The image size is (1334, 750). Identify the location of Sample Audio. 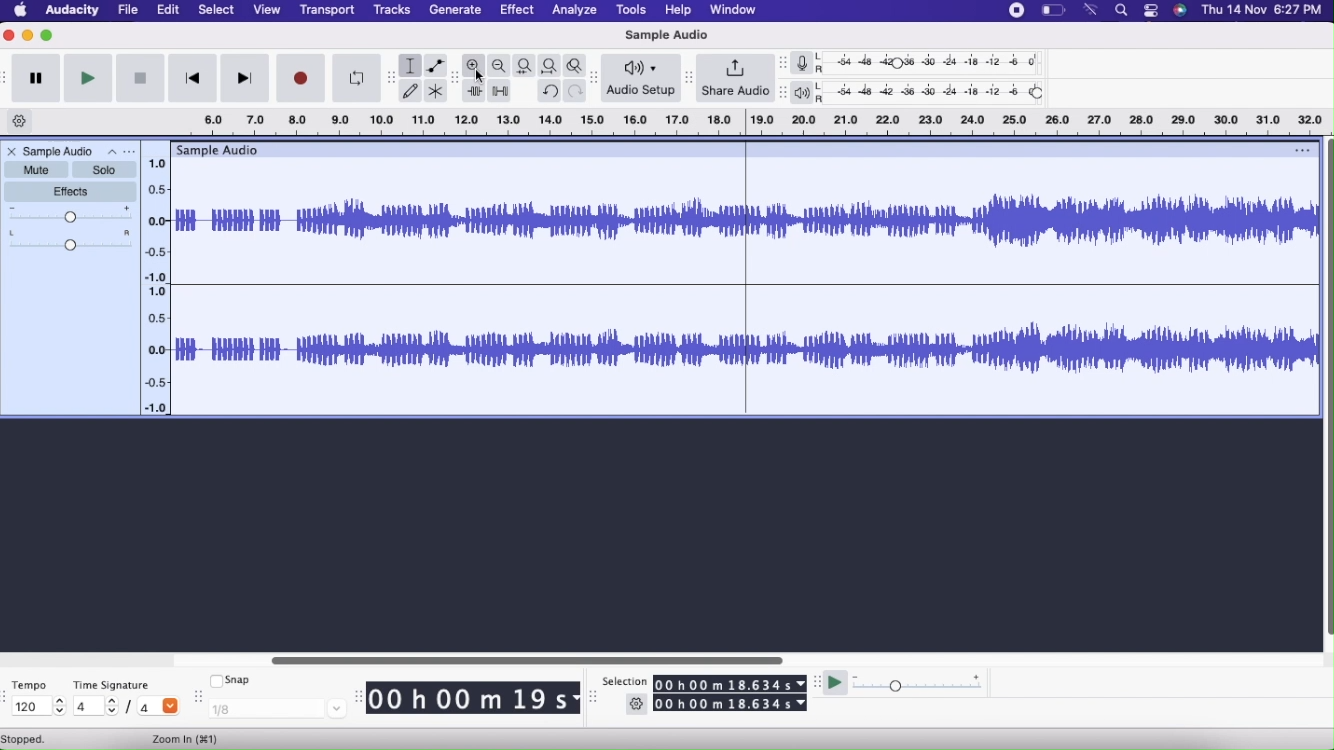
(222, 149).